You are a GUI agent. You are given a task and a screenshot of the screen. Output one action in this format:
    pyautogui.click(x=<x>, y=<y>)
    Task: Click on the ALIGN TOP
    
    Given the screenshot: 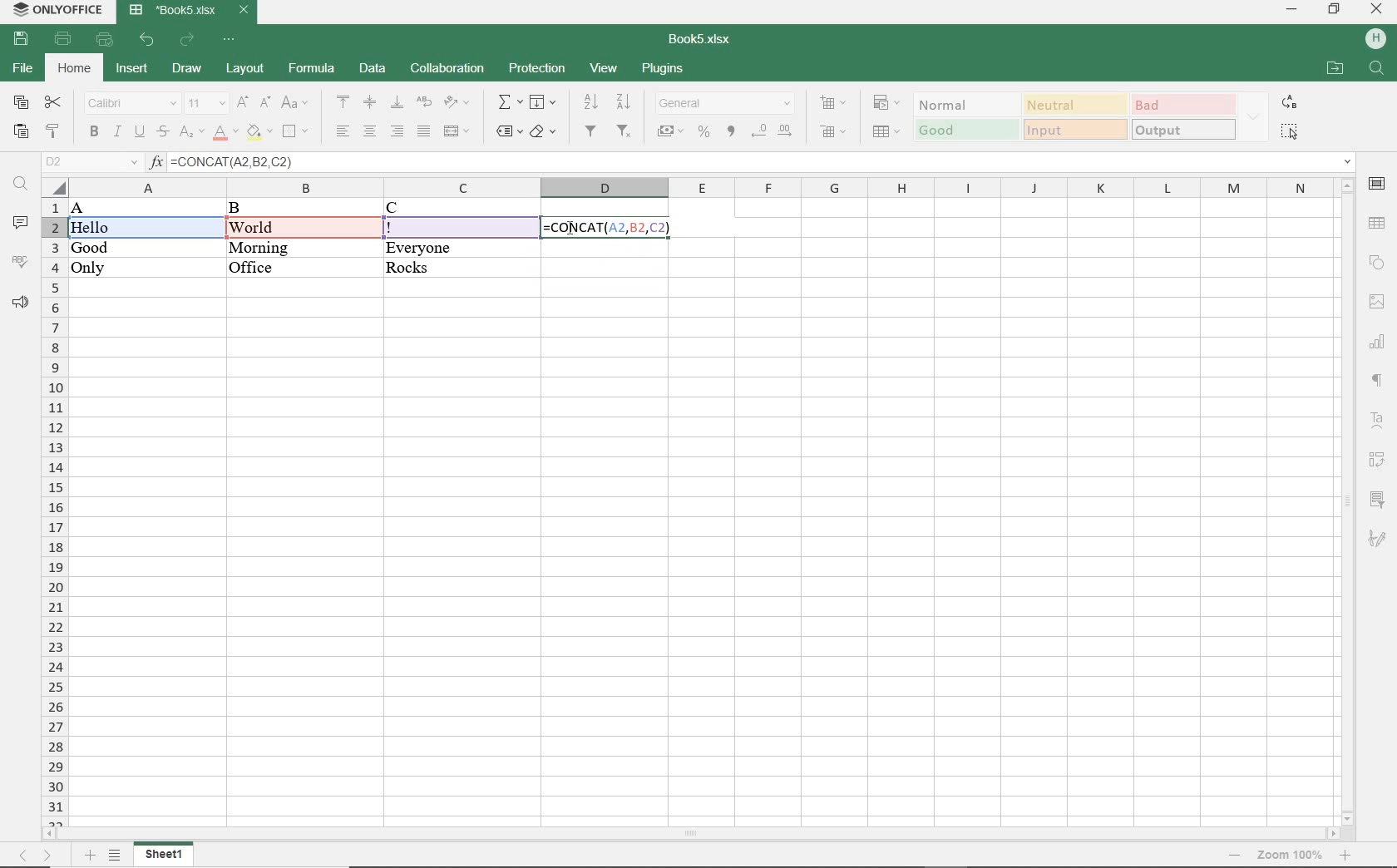 What is the action you would take?
    pyautogui.click(x=344, y=101)
    